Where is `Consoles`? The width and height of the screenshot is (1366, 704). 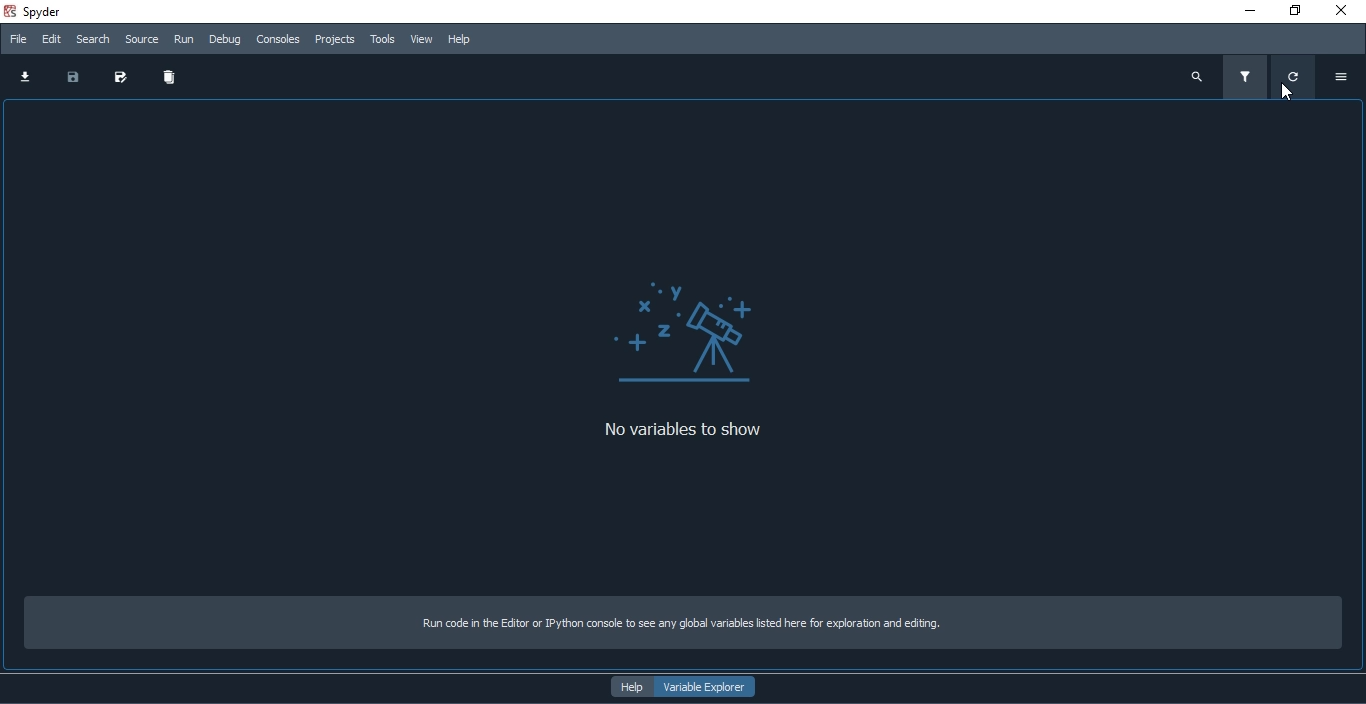 Consoles is located at coordinates (277, 40).